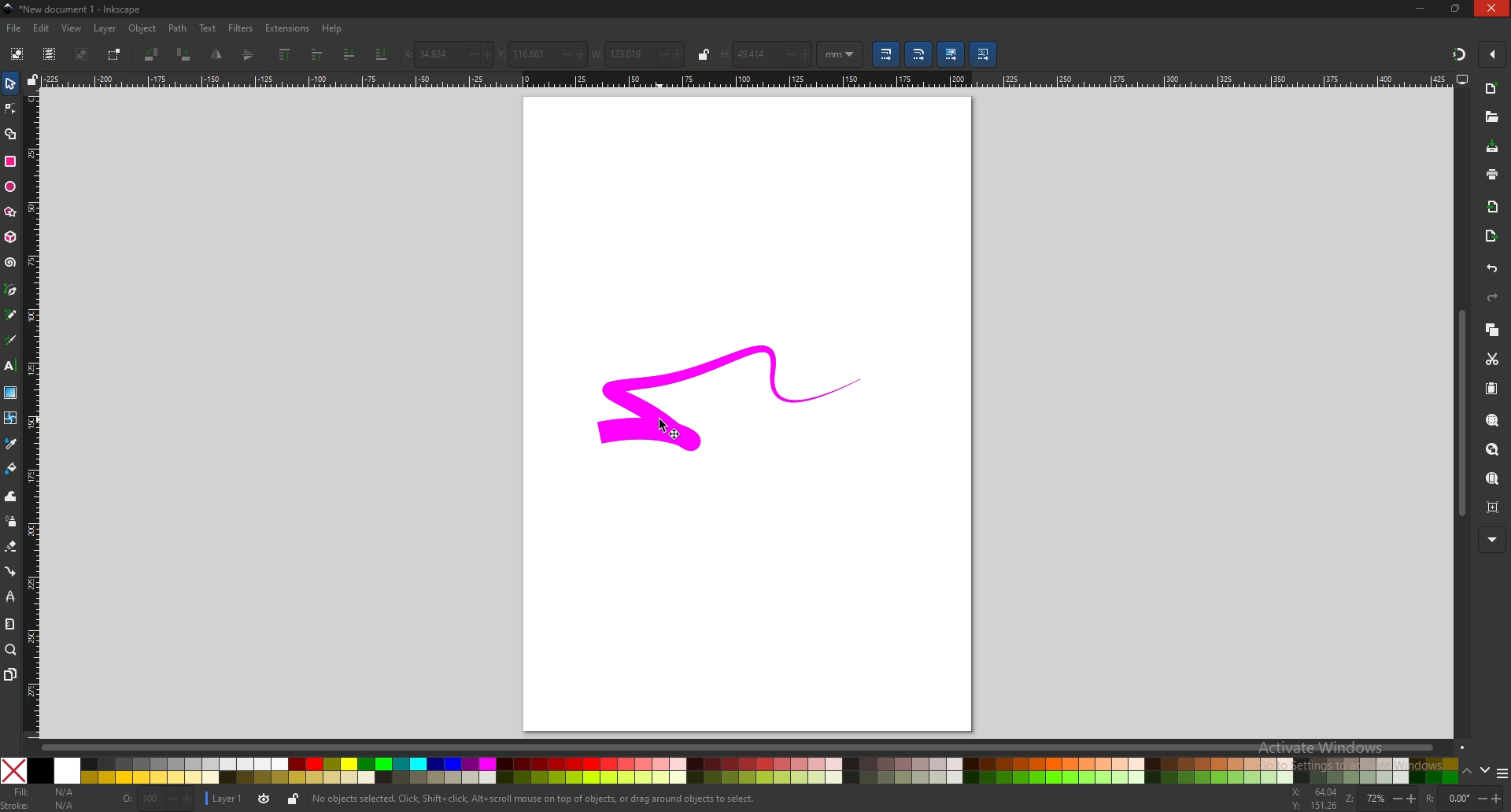 The image size is (1511, 812). Describe the element at coordinates (266, 799) in the screenshot. I see `toggle visibility` at that location.